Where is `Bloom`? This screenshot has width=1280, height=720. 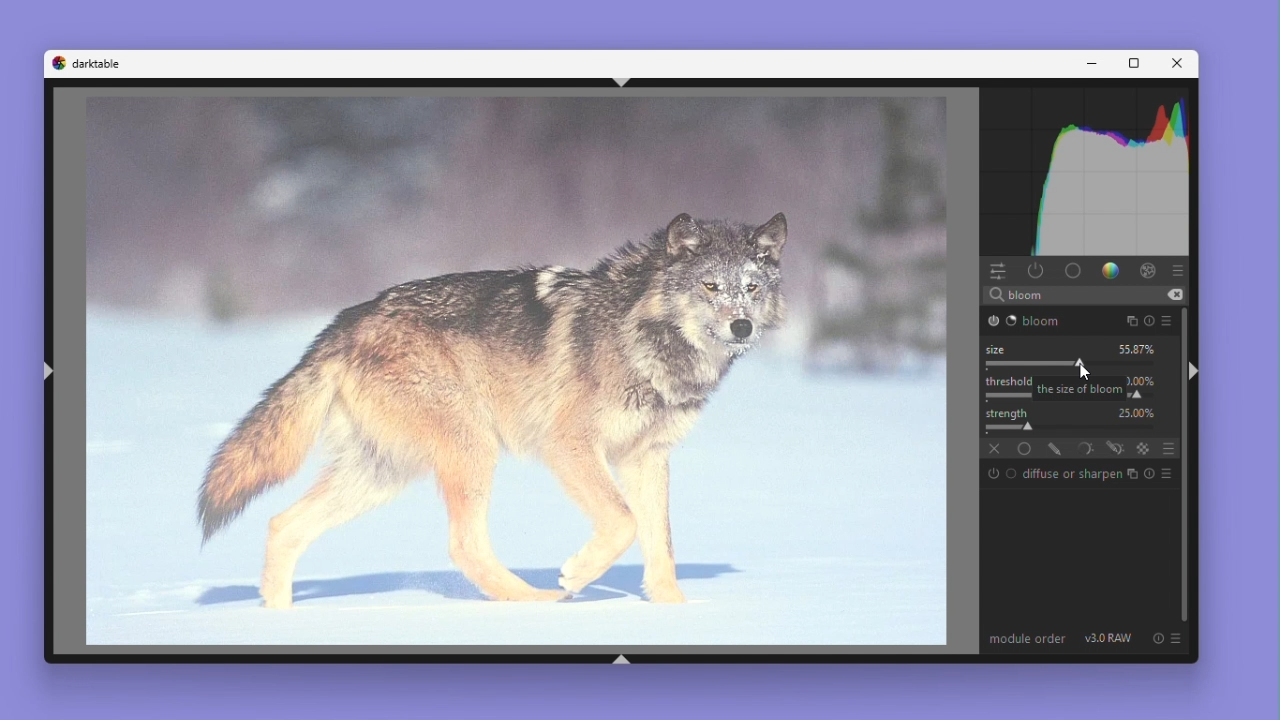
Bloom is located at coordinates (1036, 322).